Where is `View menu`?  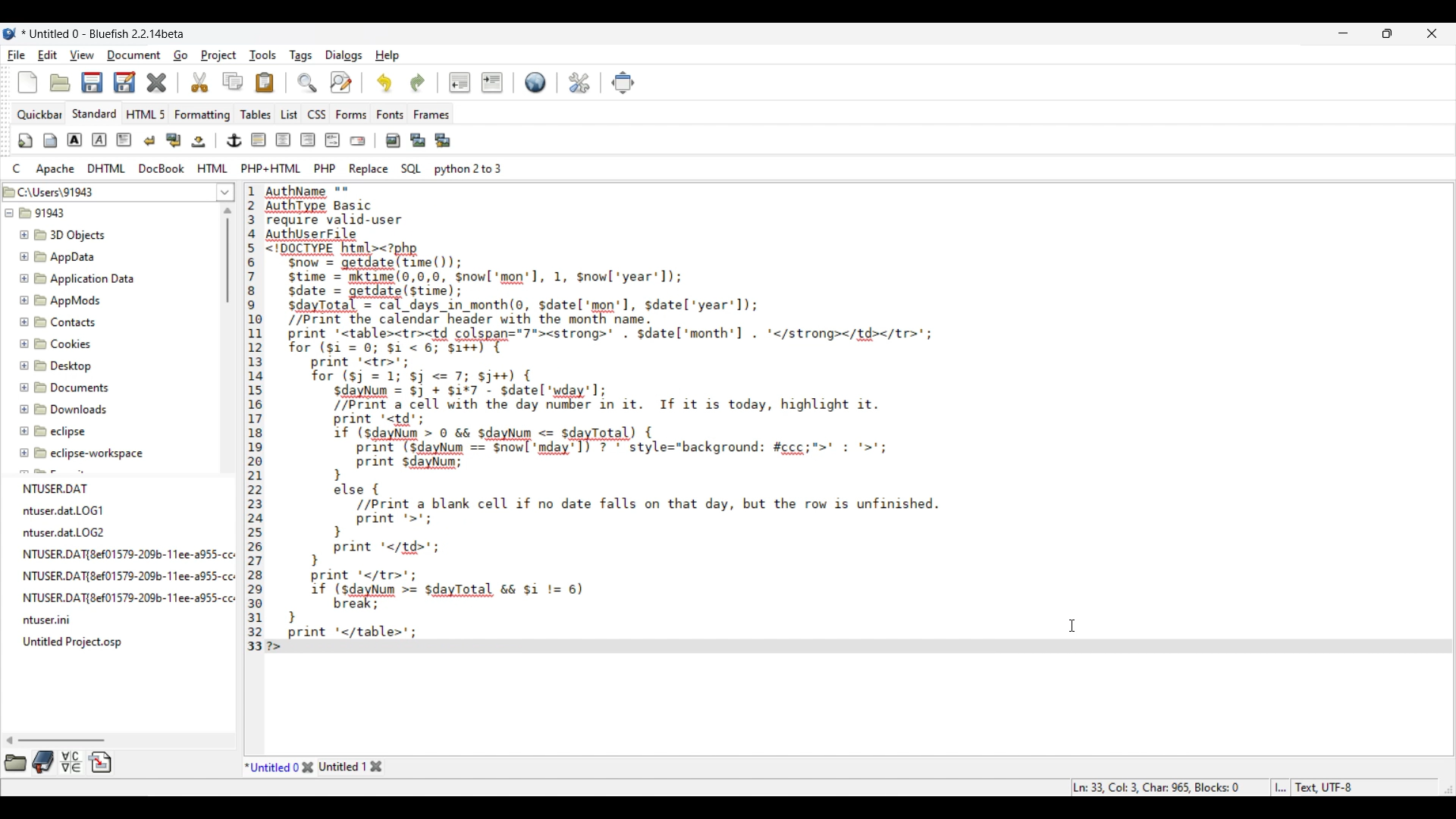
View menu is located at coordinates (82, 55).